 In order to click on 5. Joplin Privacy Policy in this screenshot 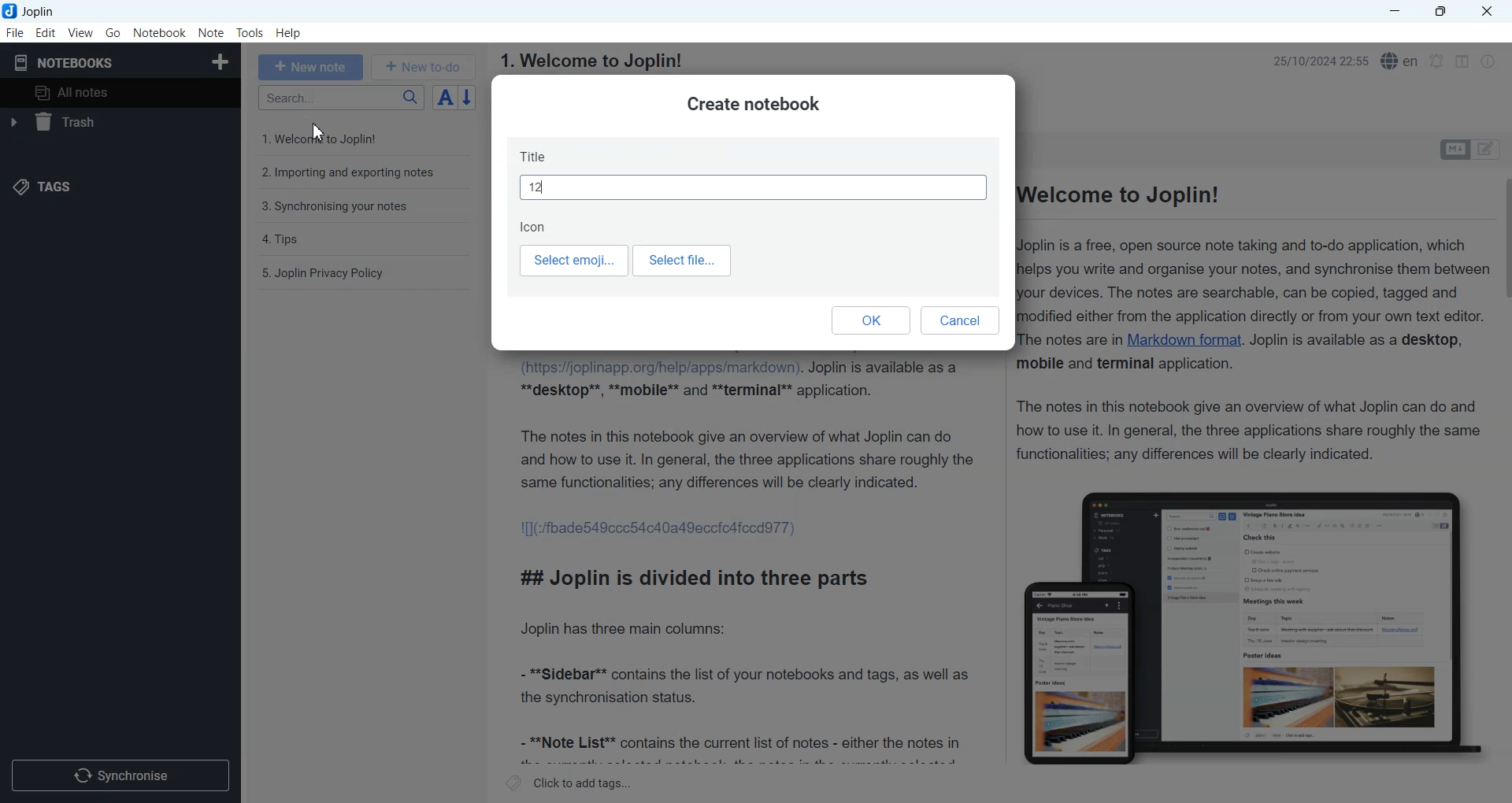, I will do `click(324, 273)`.